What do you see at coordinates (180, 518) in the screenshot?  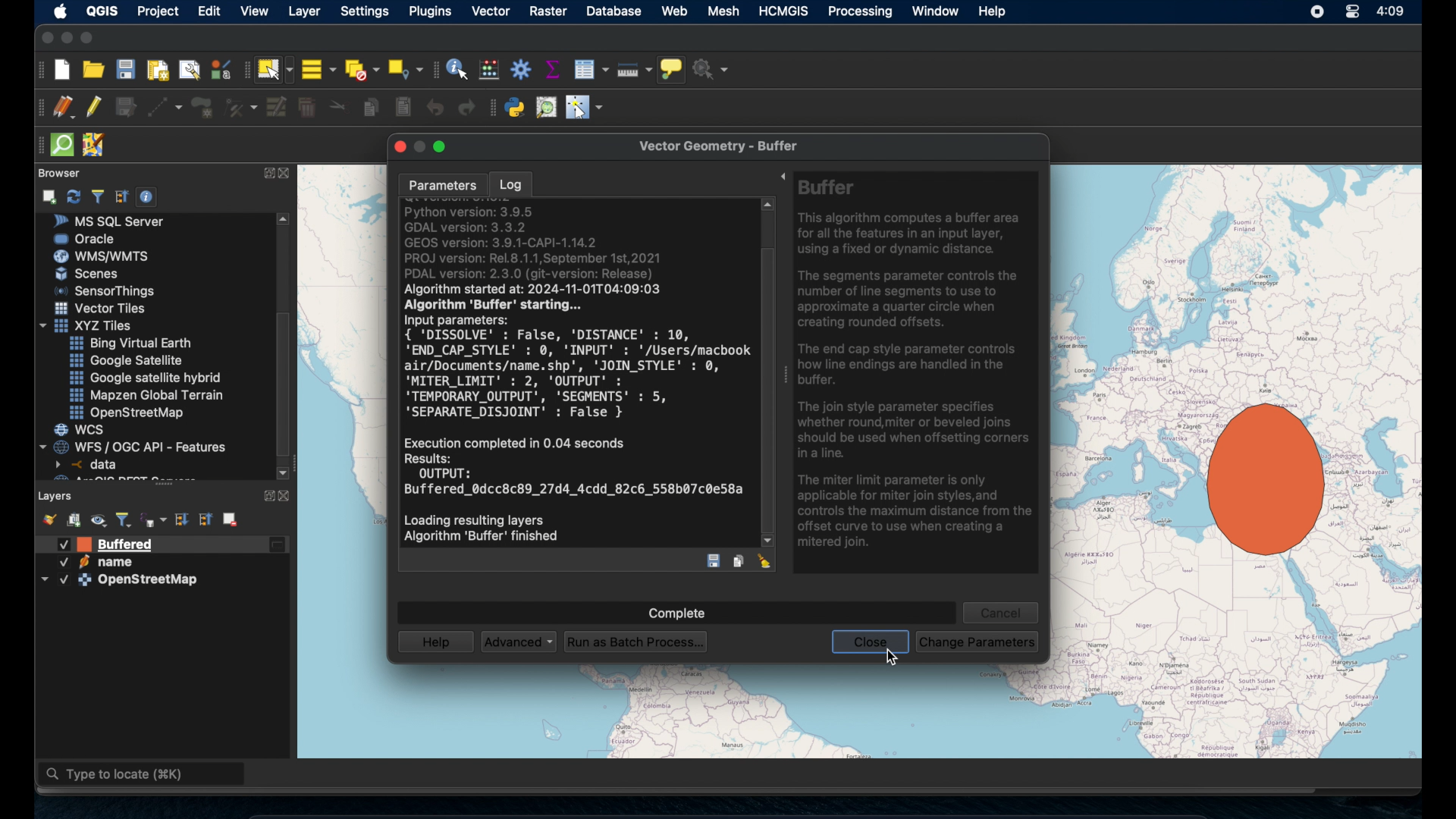 I see `expand all` at bounding box center [180, 518].